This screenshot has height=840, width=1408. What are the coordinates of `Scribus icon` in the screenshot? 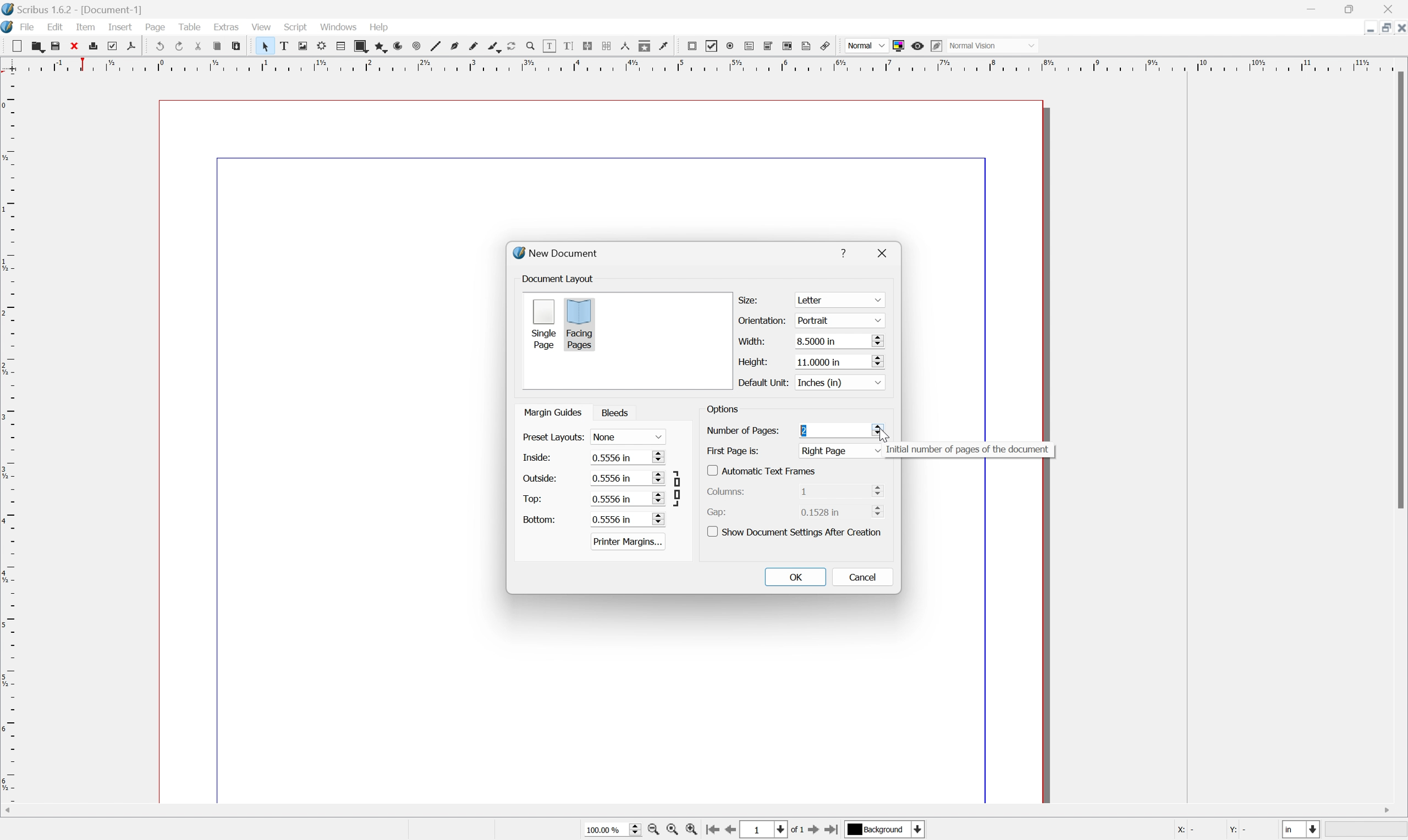 It's located at (9, 28).